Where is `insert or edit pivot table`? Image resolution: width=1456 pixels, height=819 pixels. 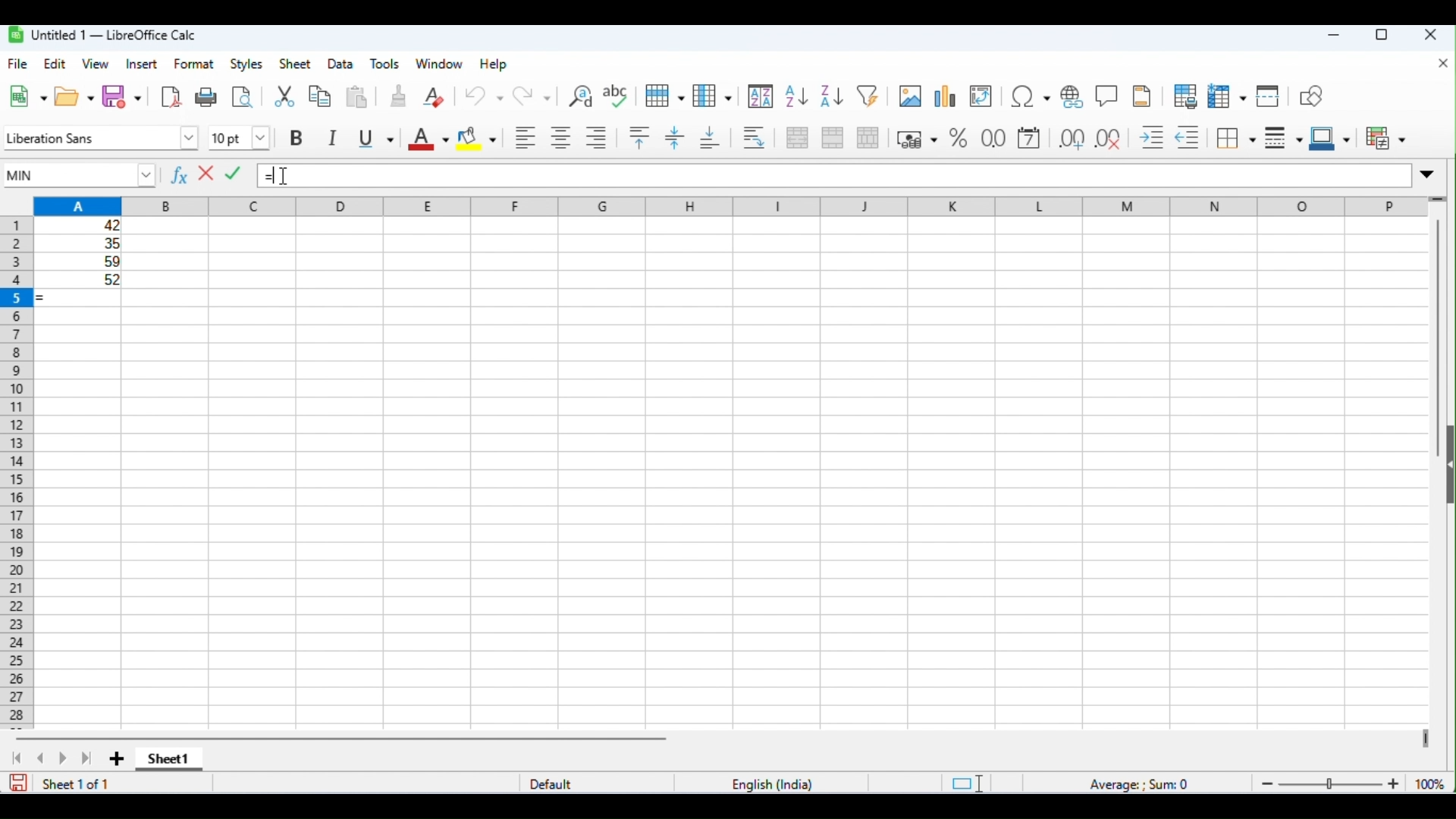
insert or edit pivot table is located at coordinates (981, 96).